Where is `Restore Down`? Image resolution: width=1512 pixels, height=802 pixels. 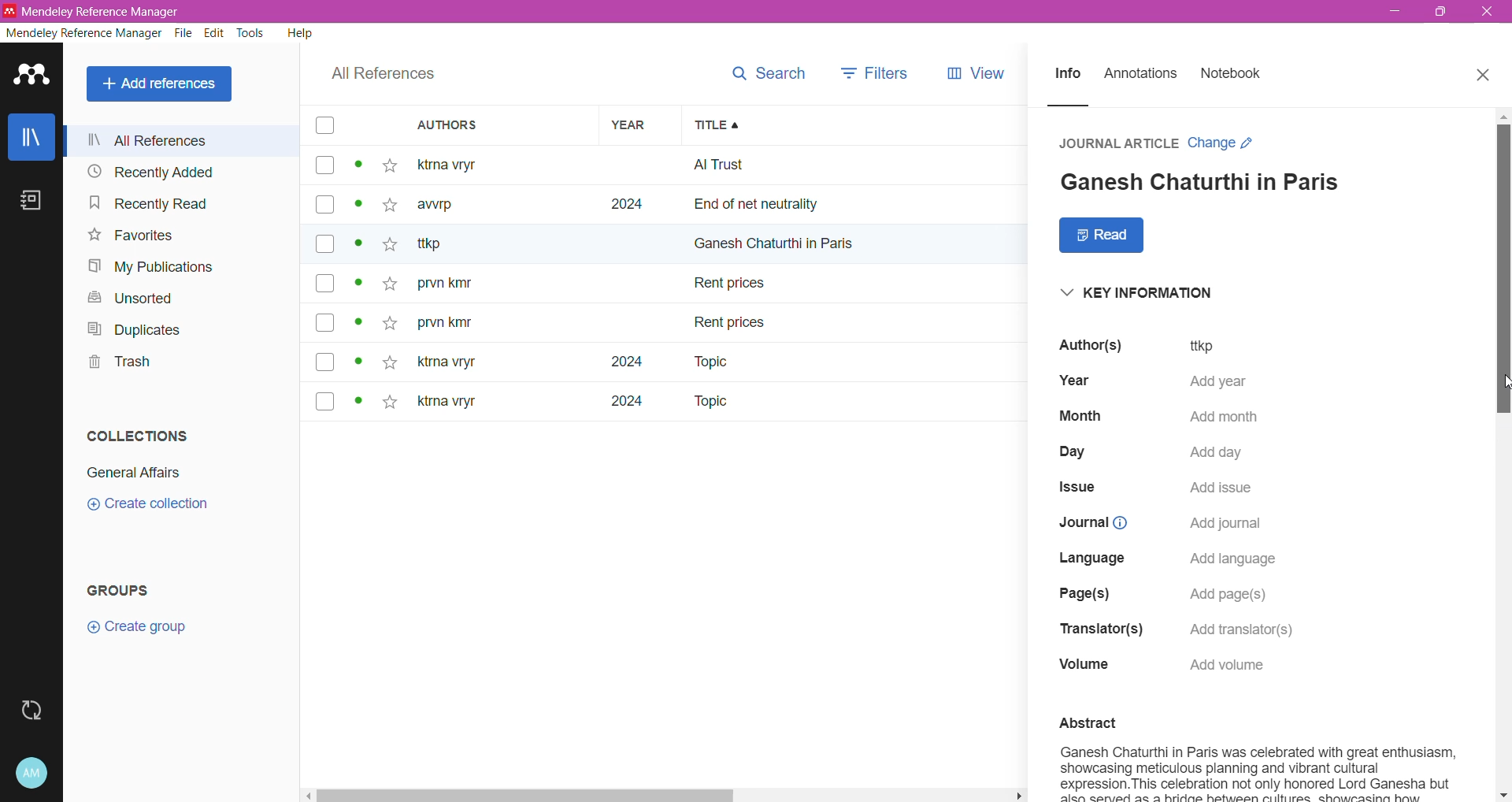
Restore Down is located at coordinates (1443, 12).